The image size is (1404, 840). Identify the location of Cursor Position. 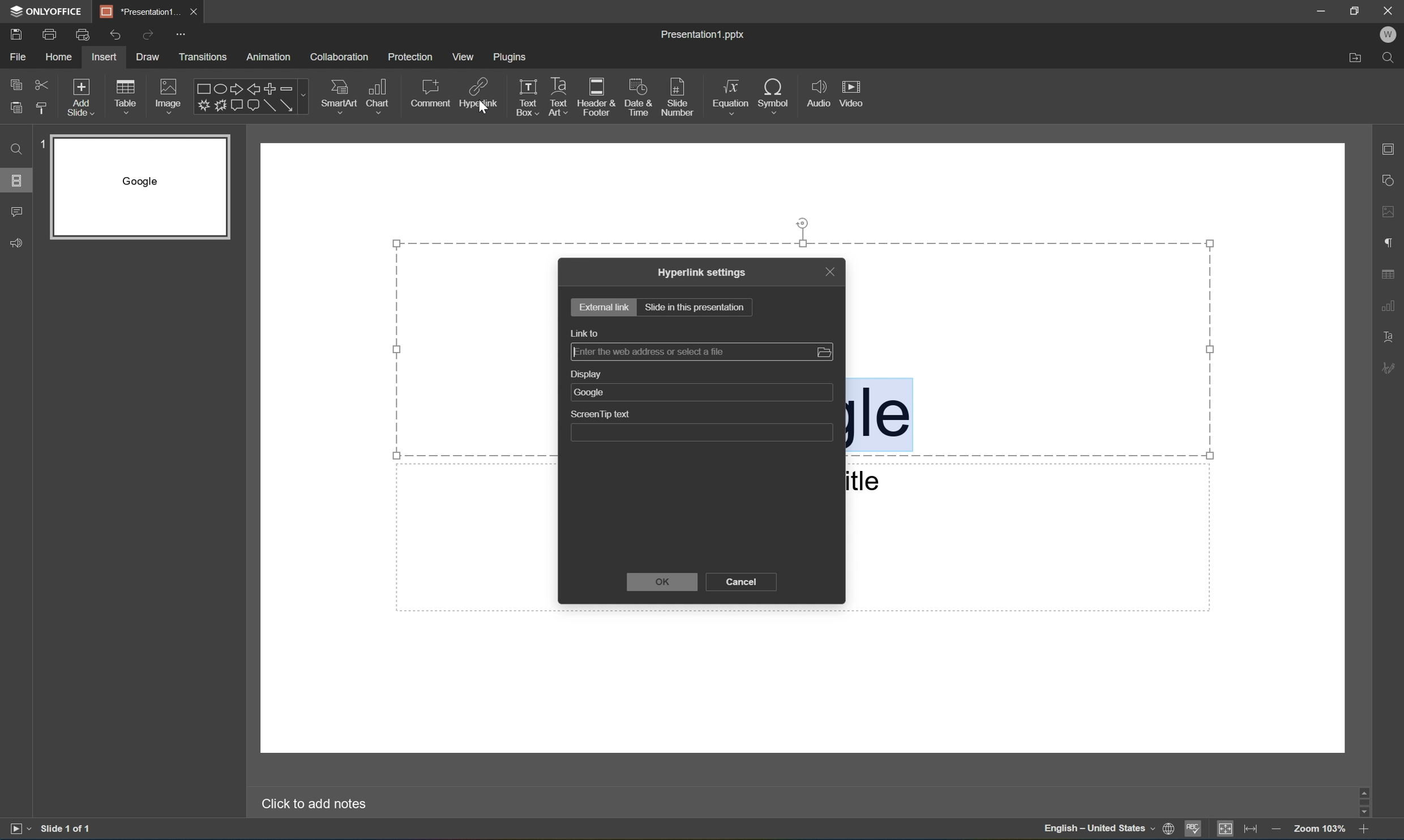
(481, 110).